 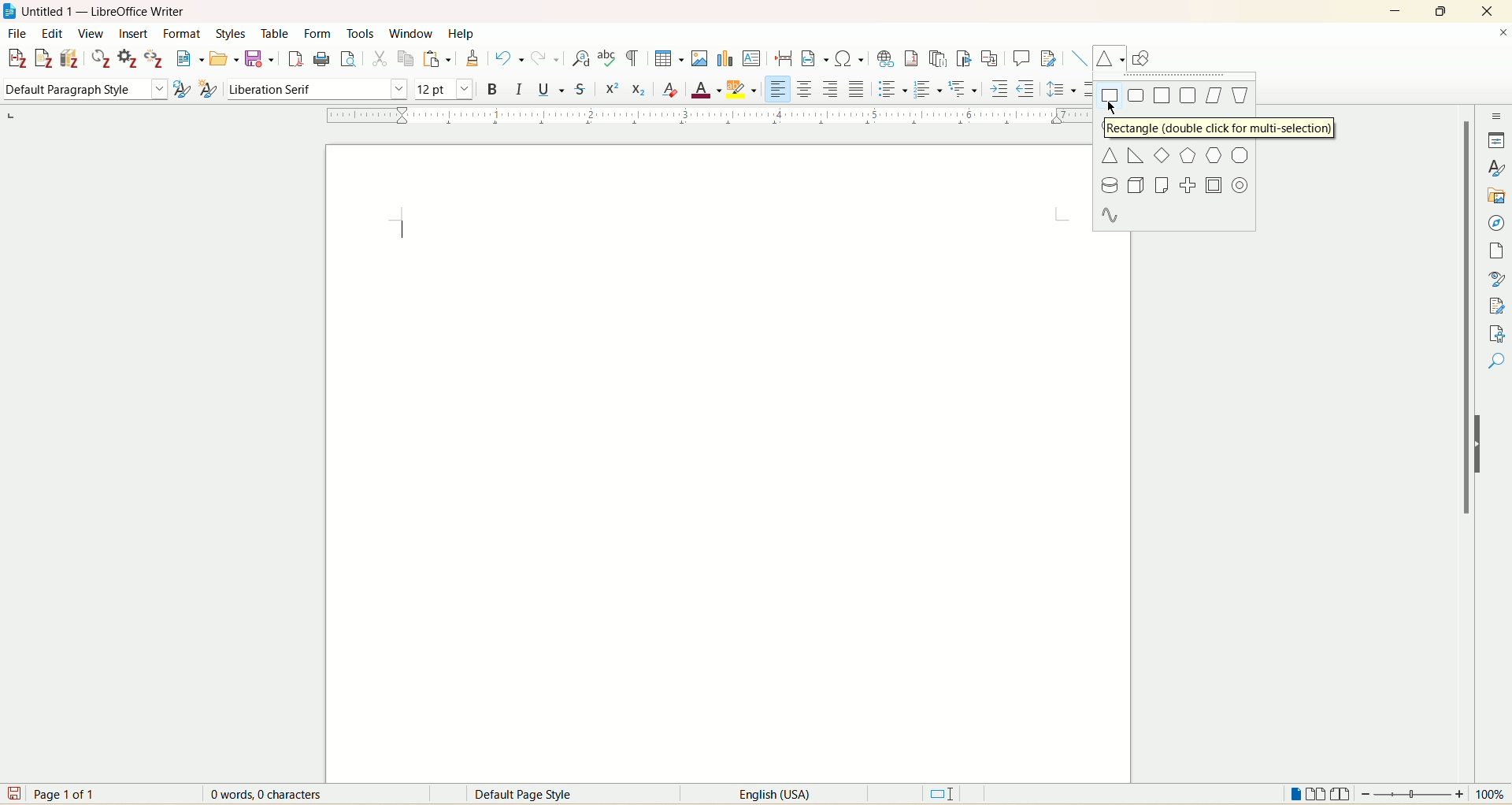 What do you see at coordinates (1048, 57) in the screenshot?
I see `track changes` at bounding box center [1048, 57].